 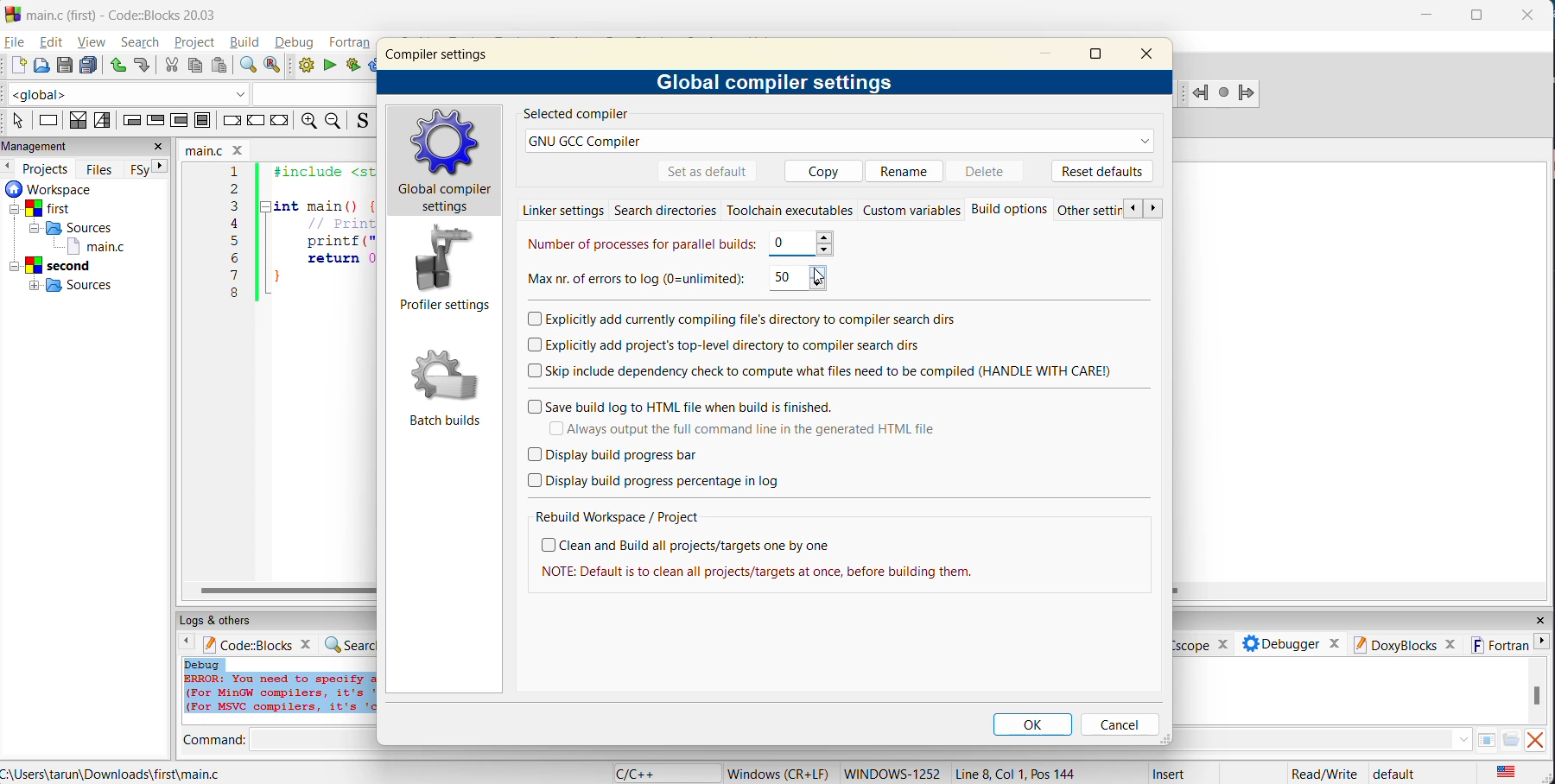 I want to click on save, so click(x=65, y=66).